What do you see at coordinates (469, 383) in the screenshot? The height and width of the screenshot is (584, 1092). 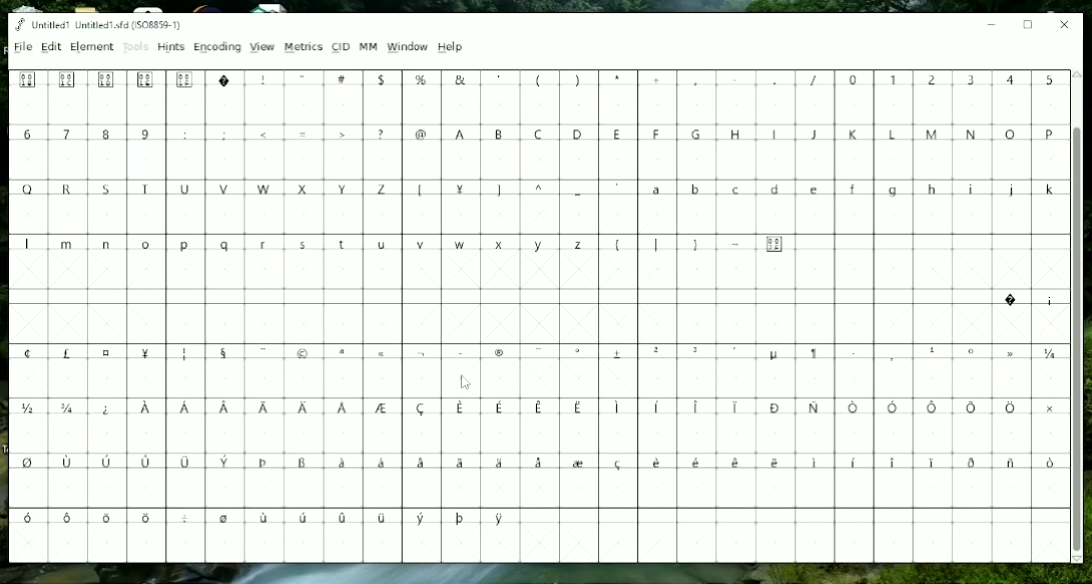 I see `Cursor` at bounding box center [469, 383].